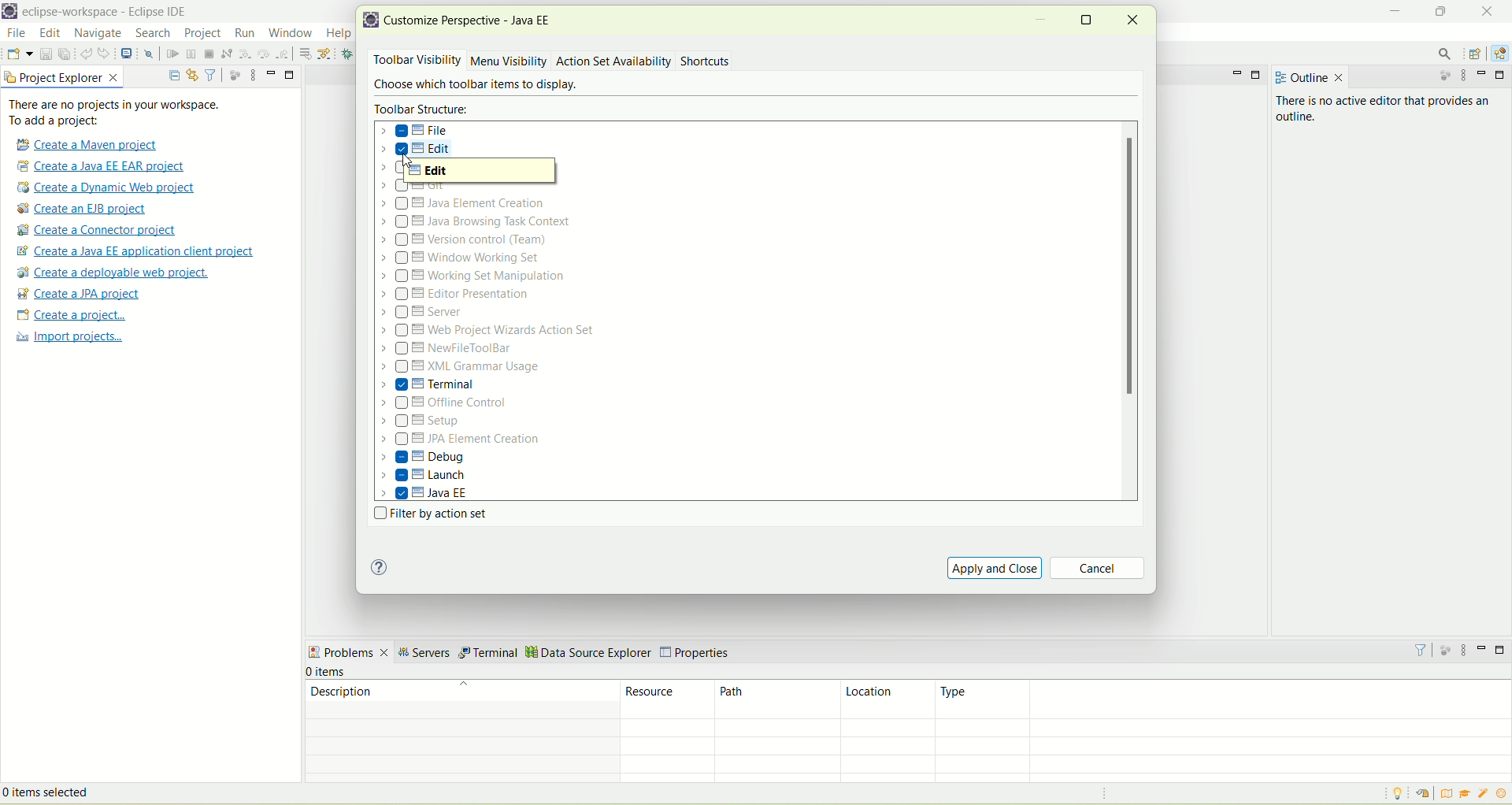  I want to click on toolbar structure, so click(424, 109).